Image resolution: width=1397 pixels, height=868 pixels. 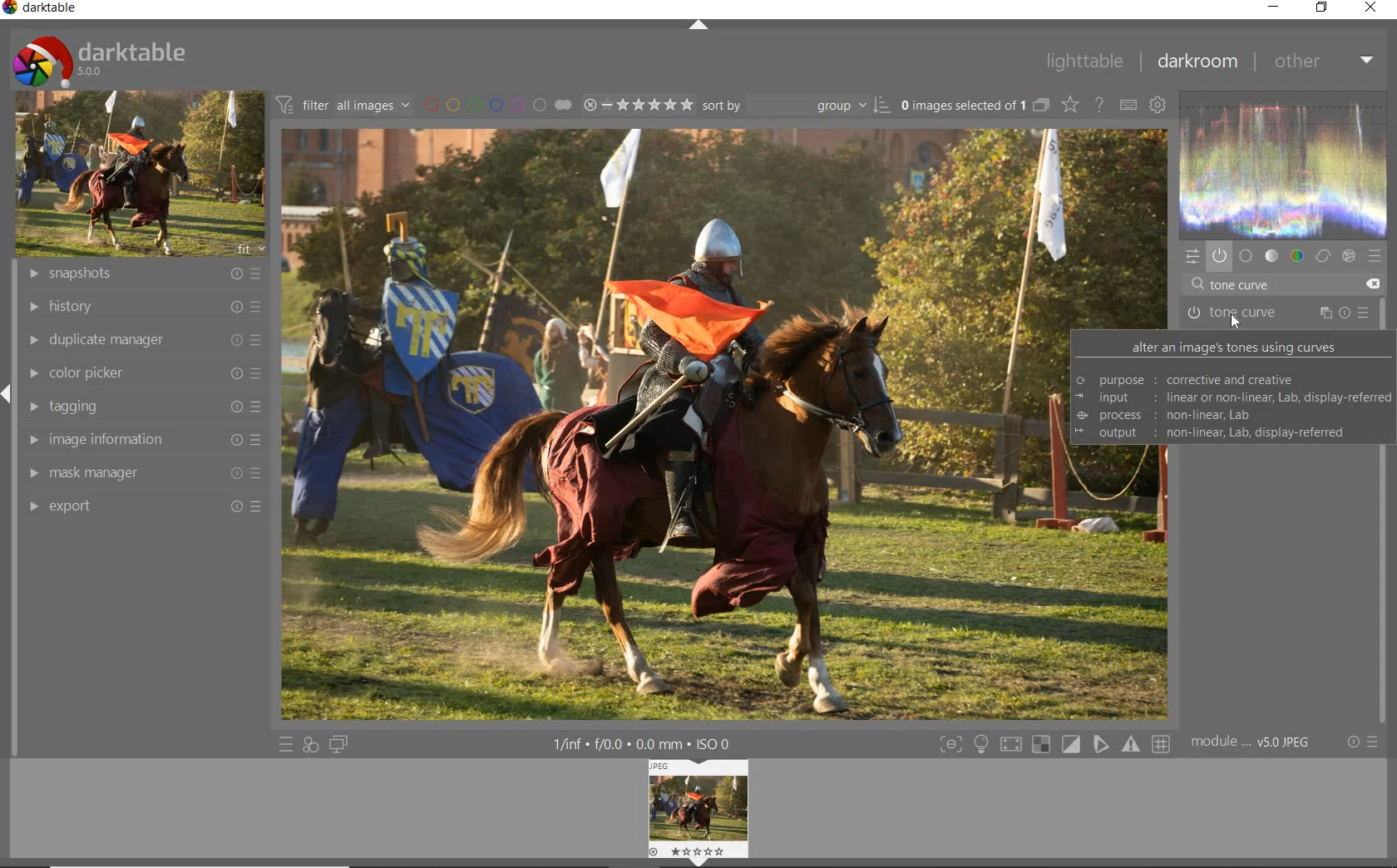 I want to click on export, so click(x=141, y=506).